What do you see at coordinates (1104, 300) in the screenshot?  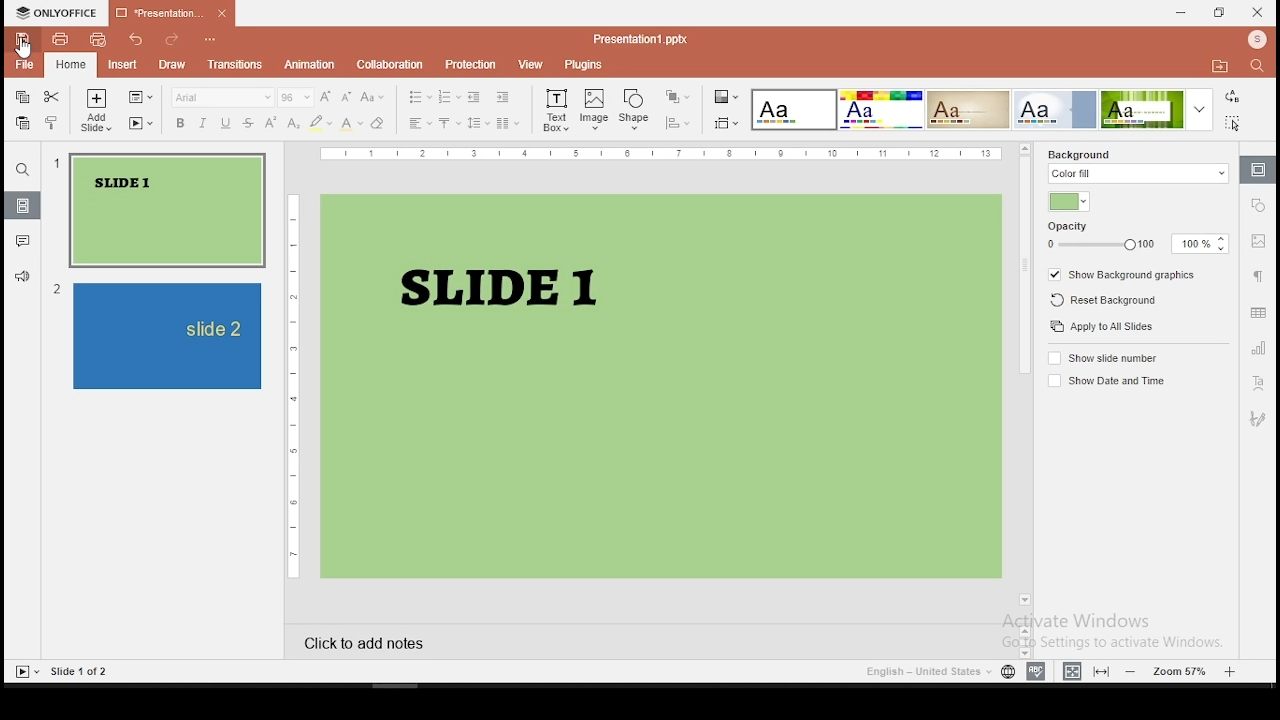 I see `reset background` at bounding box center [1104, 300].